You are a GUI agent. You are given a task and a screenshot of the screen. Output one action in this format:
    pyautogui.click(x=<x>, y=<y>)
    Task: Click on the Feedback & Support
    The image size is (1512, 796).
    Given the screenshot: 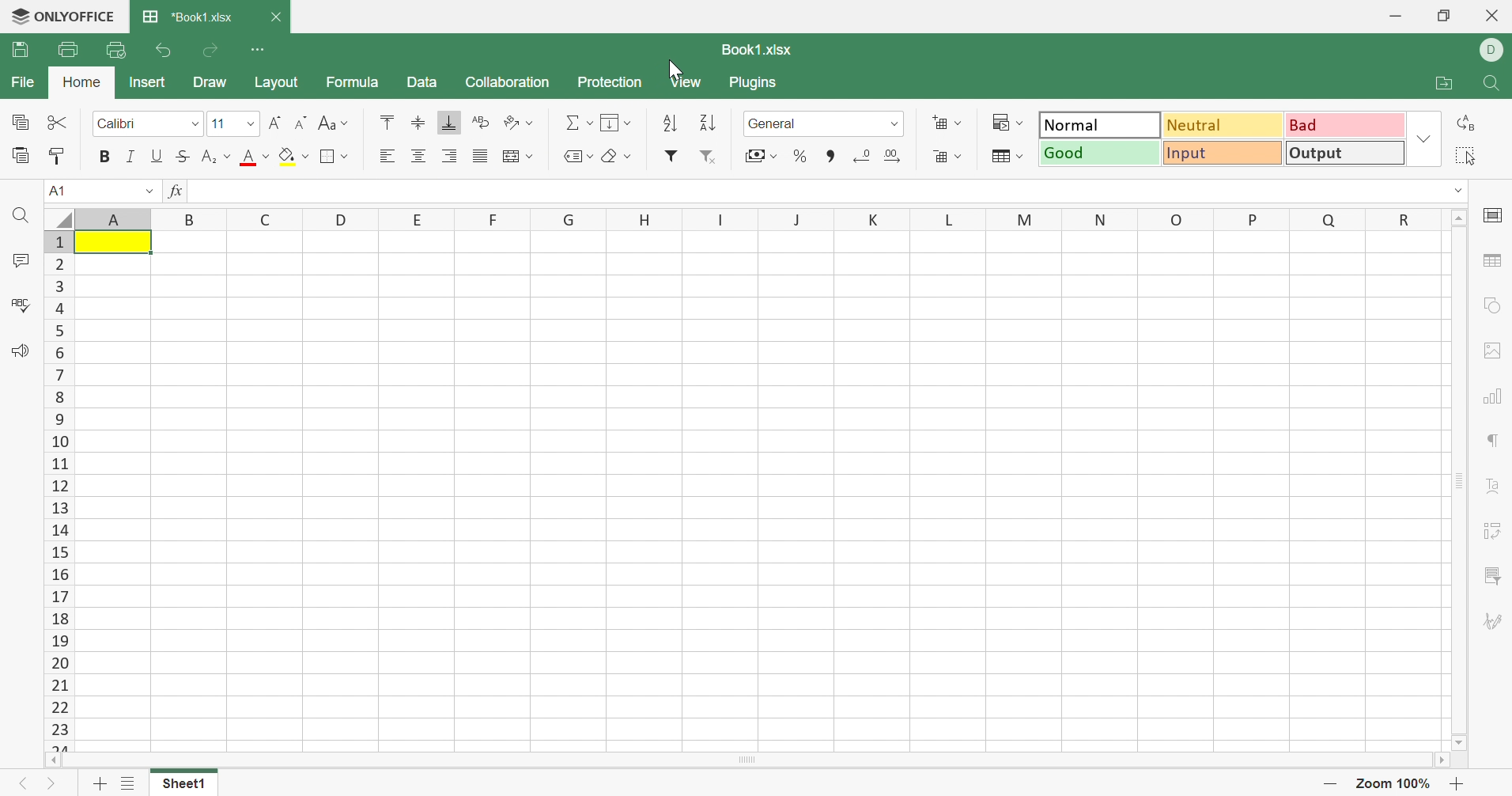 What is the action you would take?
    pyautogui.click(x=22, y=349)
    